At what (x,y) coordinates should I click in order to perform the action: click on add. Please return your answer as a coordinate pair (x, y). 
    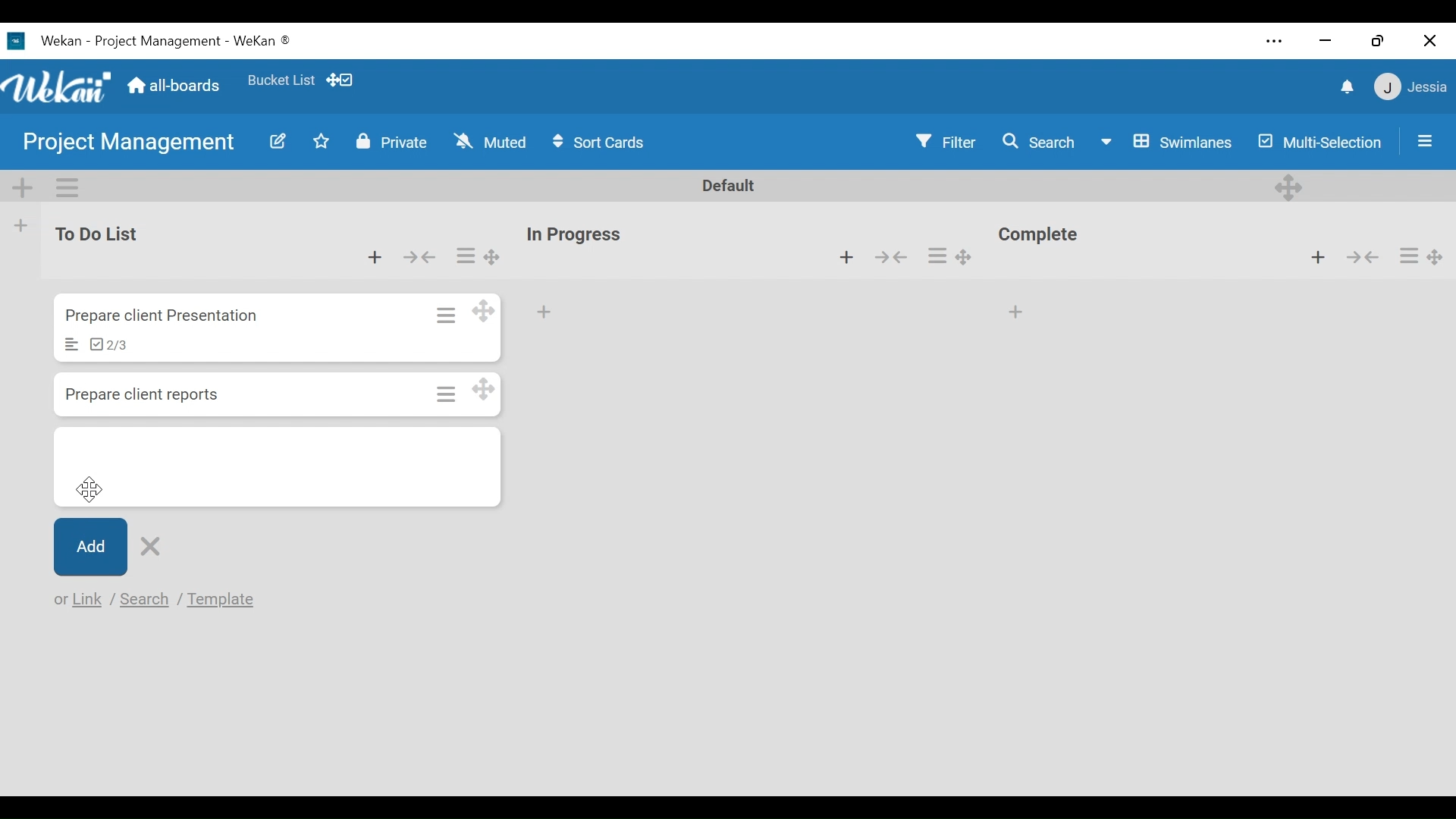
    Looking at the image, I should click on (549, 313).